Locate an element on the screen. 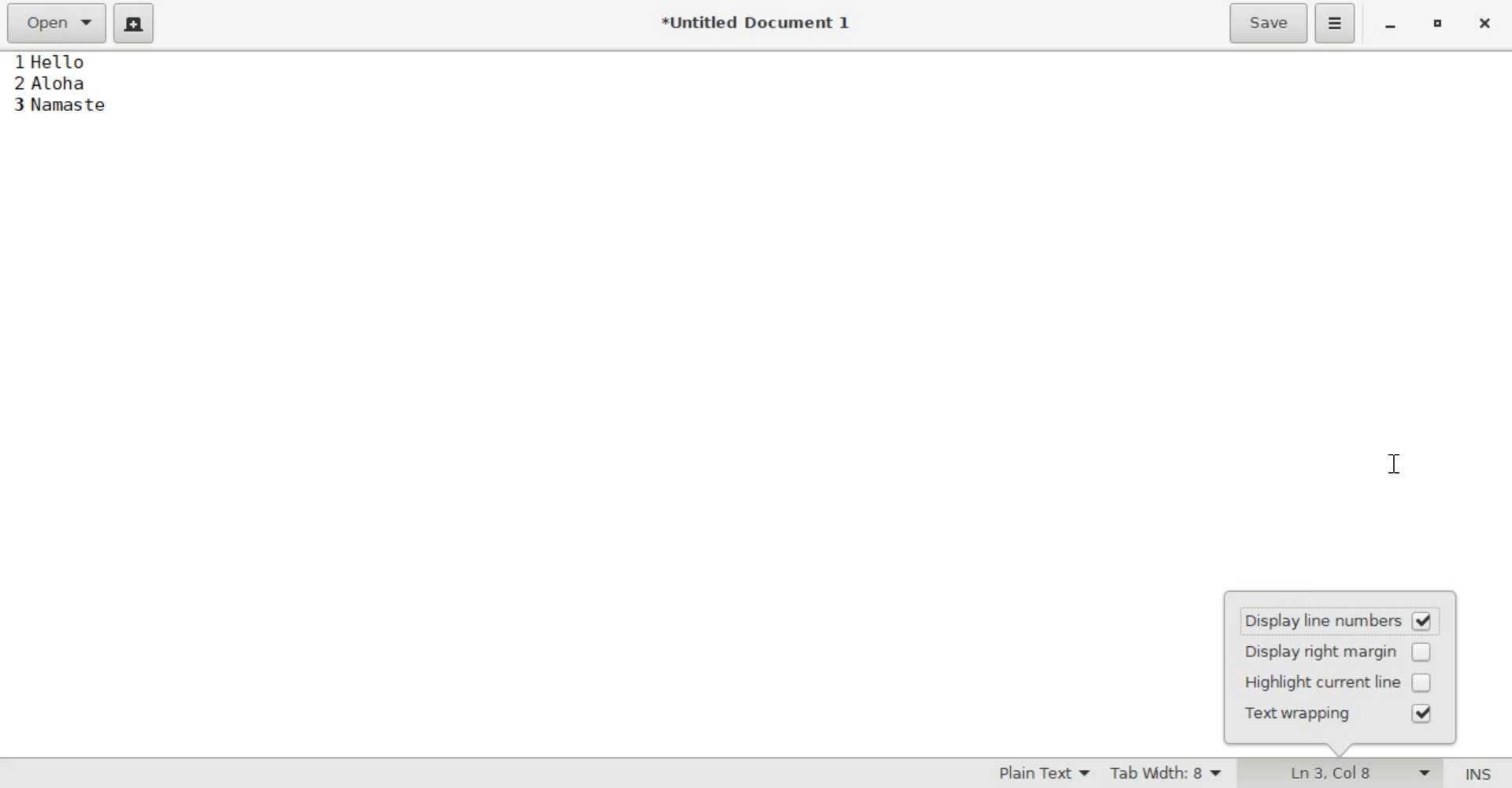 This screenshot has height=788, width=1512. *Untitled Document 1 is located at coordinates (754, 20).